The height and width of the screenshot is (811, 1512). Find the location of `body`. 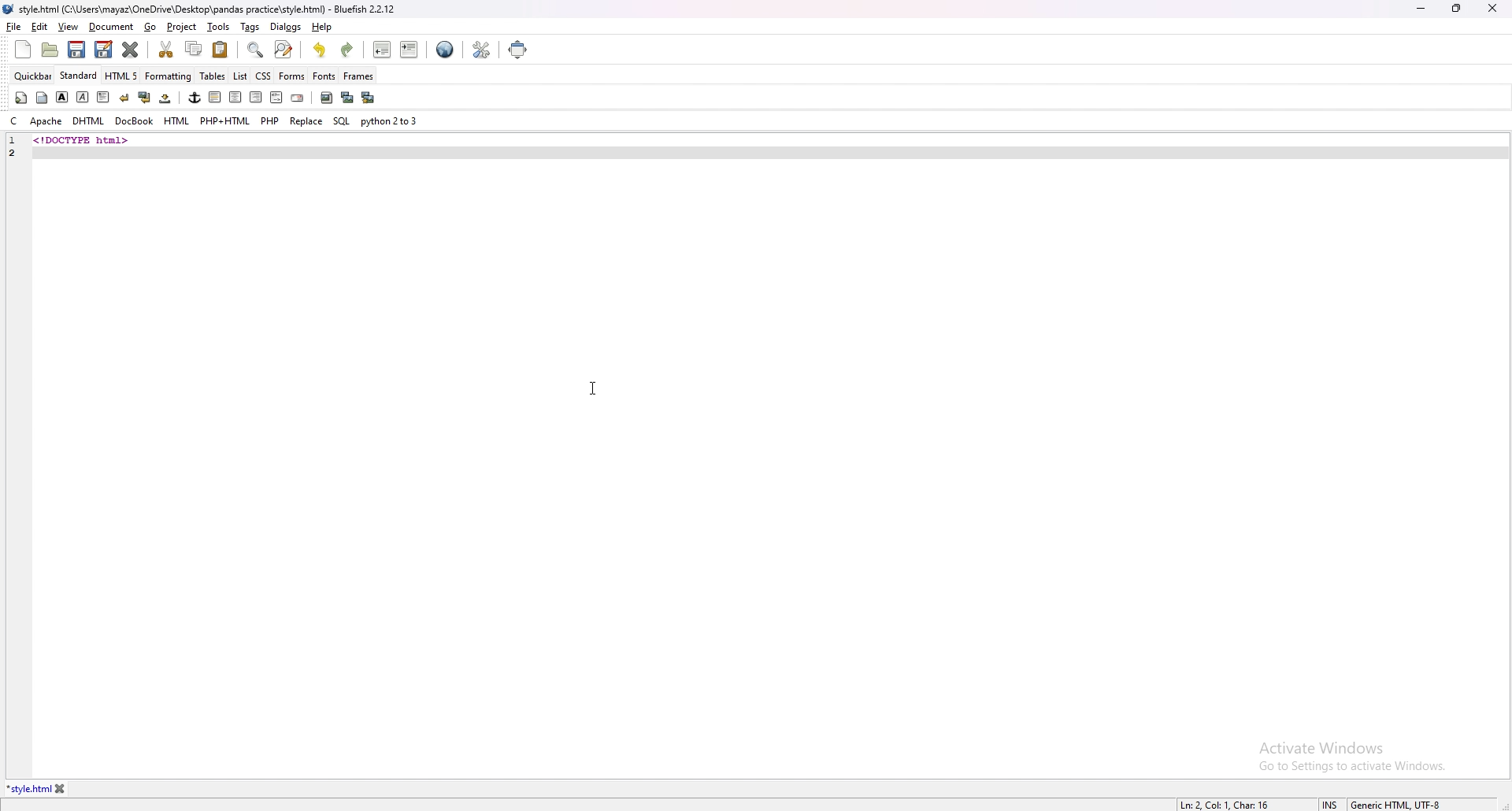

body is located at coordinates (43, 96).